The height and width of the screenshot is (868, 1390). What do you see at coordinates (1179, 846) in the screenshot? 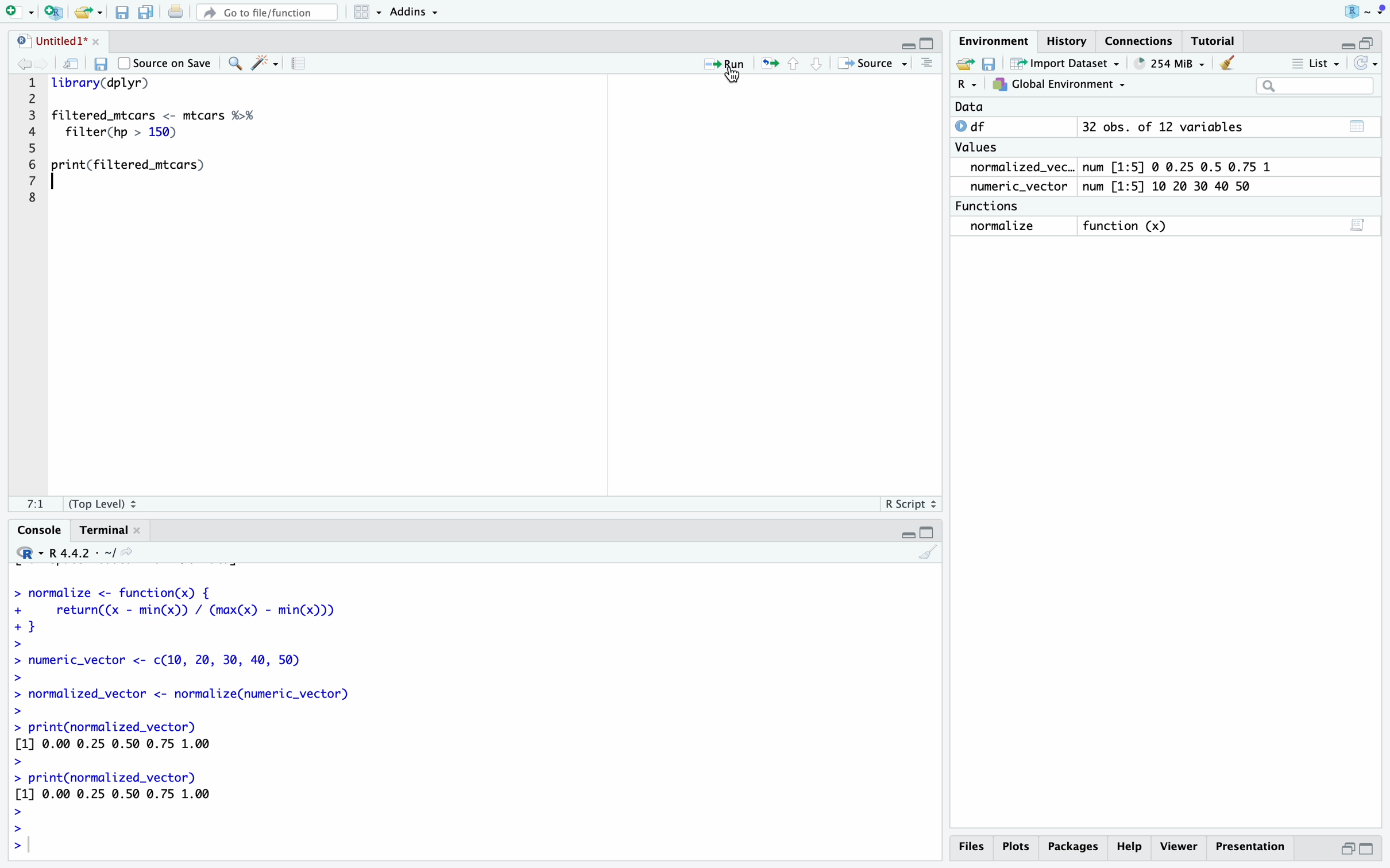
I see `Viewer` at bounding box center [1179, 846].